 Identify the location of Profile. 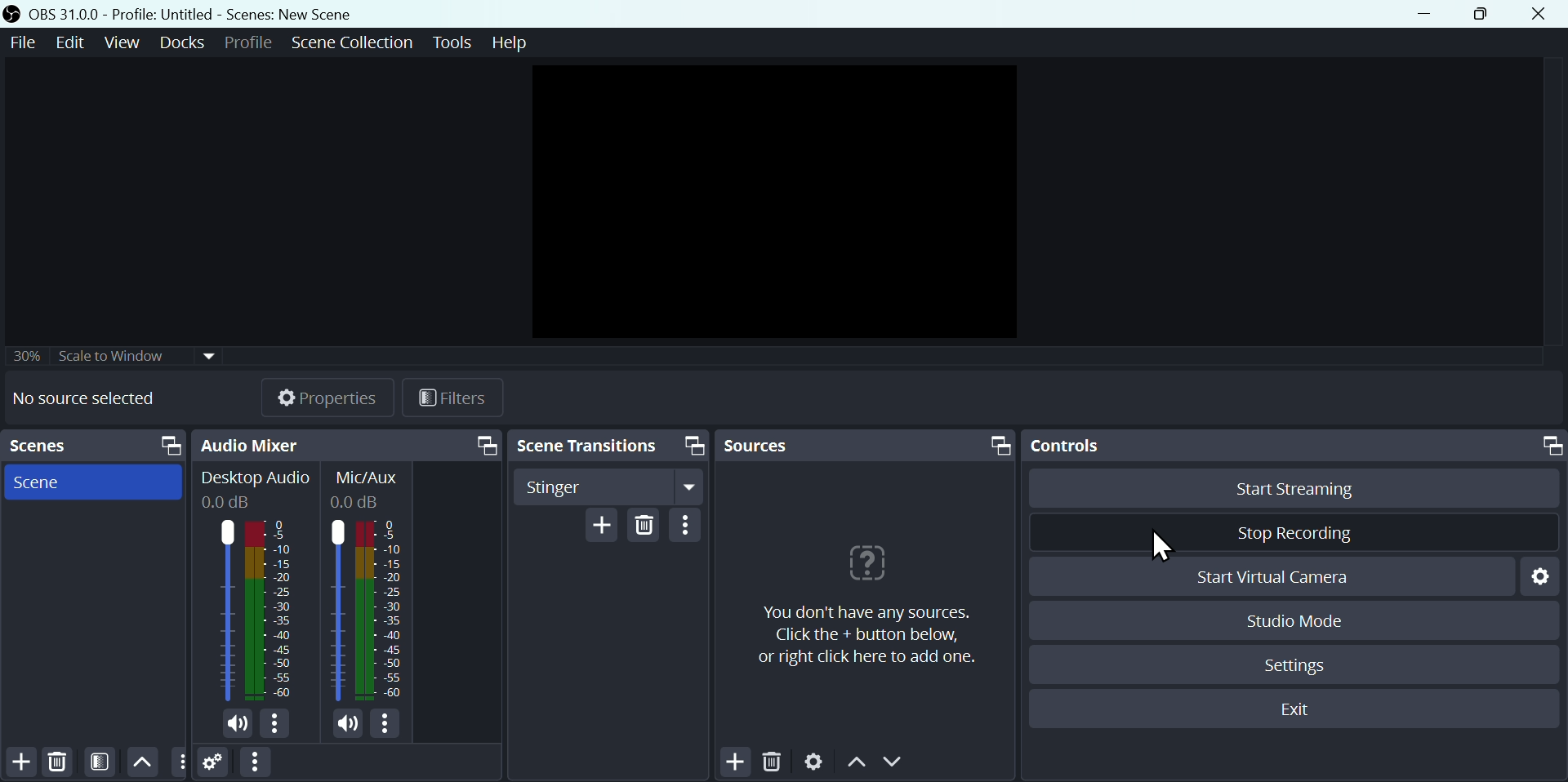
(248, 42).